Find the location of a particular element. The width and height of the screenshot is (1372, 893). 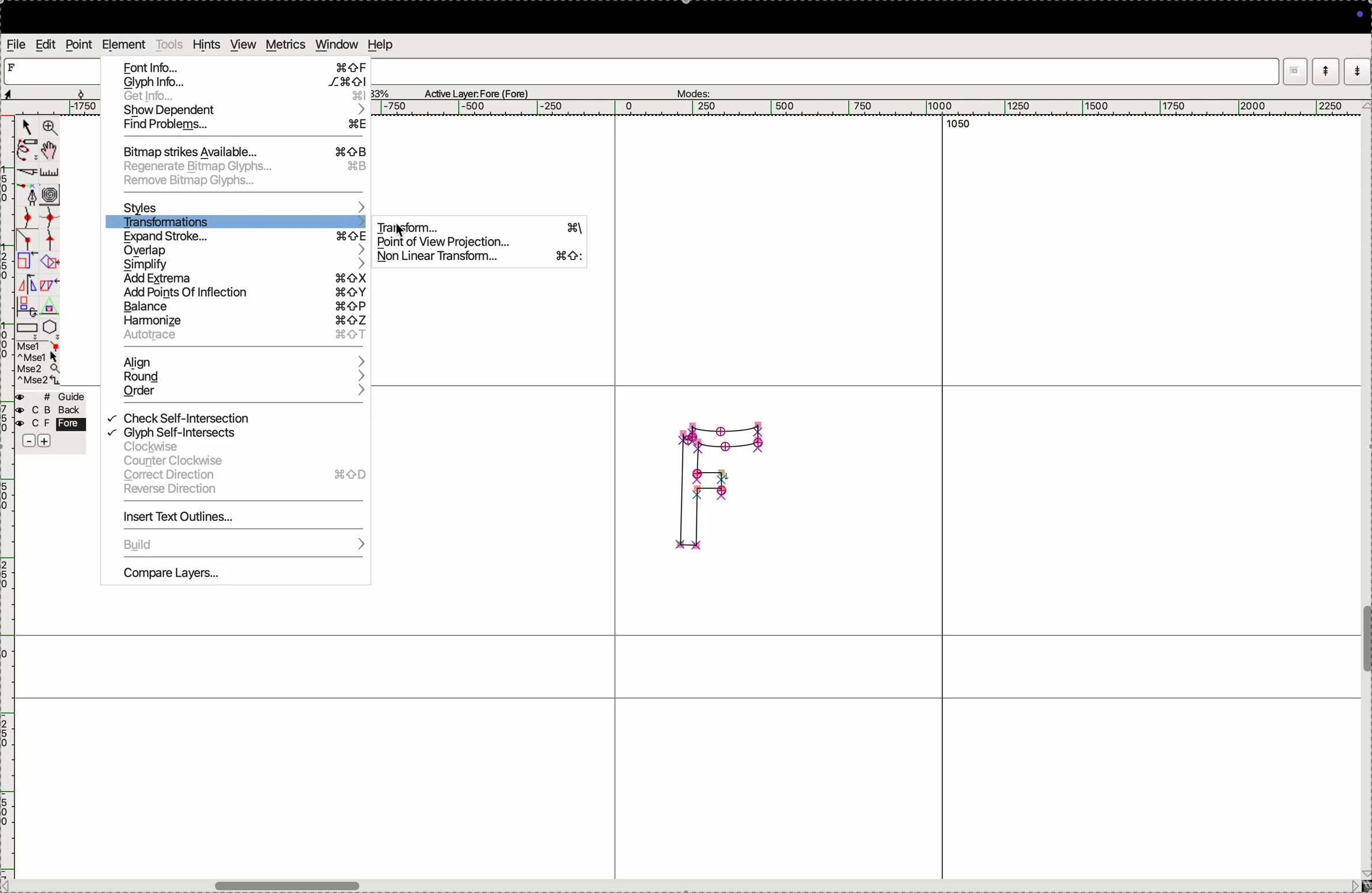

window is located at coordinates (337, 44).